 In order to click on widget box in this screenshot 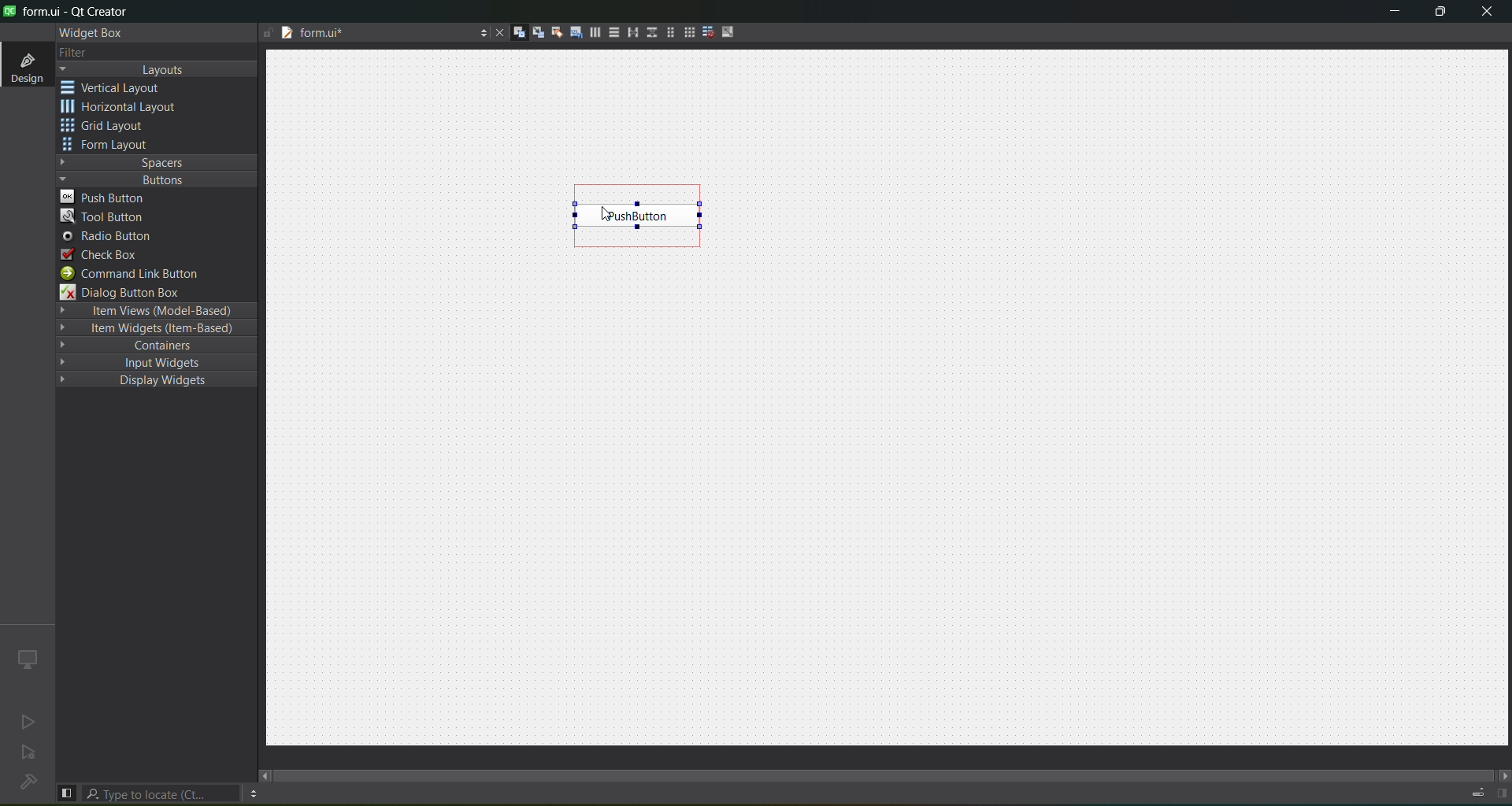, I will do `click(88, 32)`.